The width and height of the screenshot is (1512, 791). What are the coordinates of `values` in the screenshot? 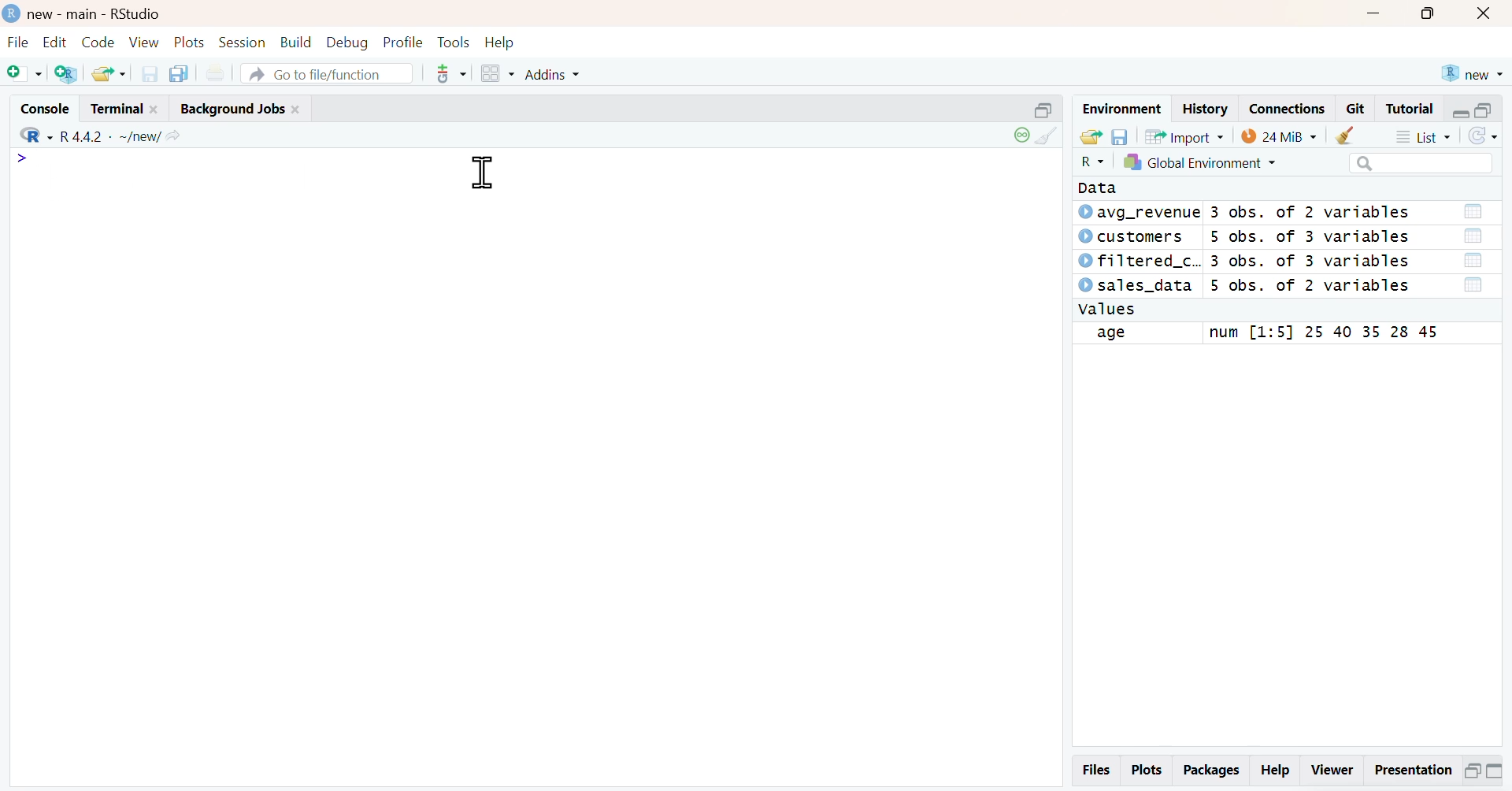 It's located at (1108, 310).